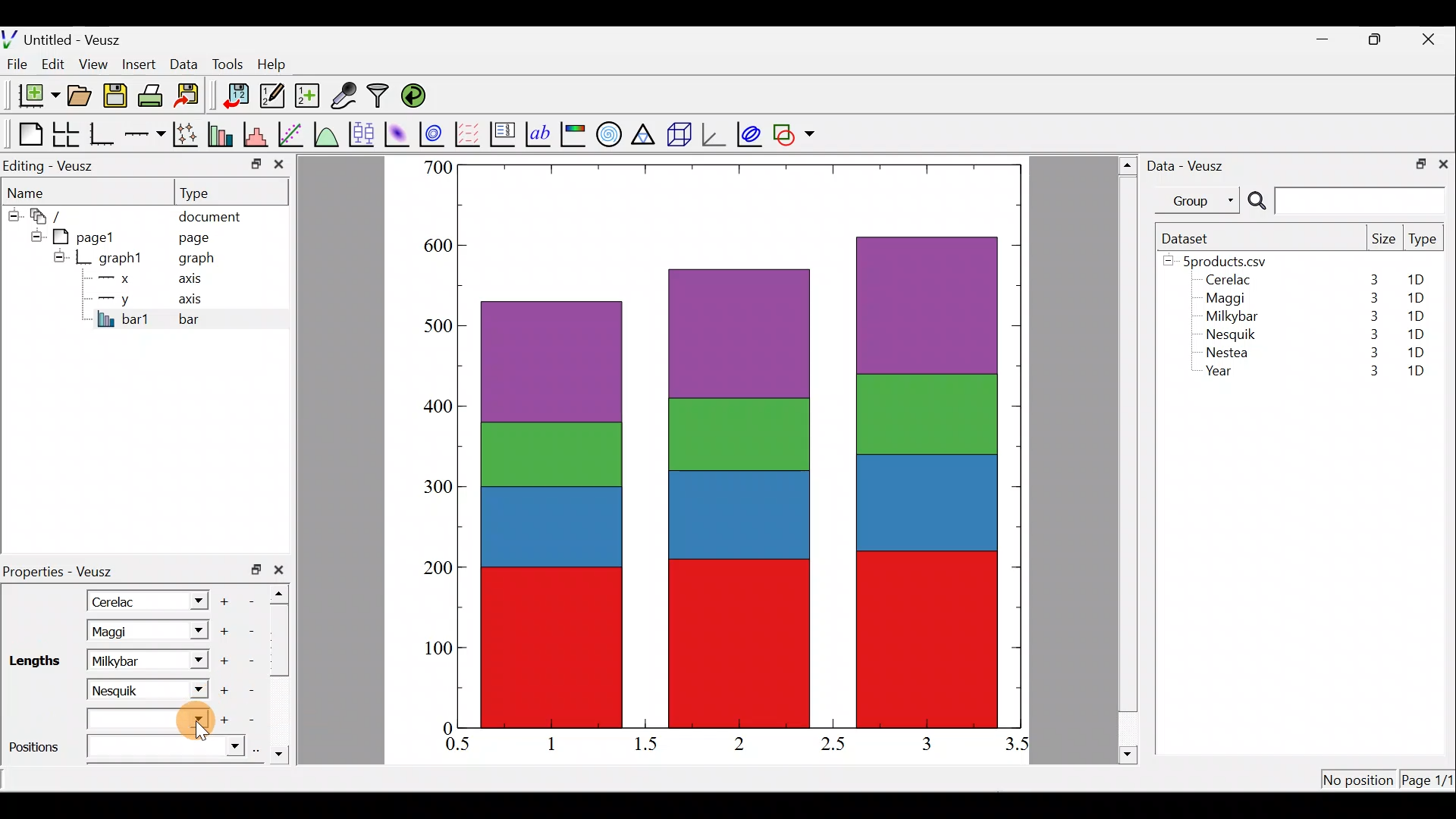  What do you see at coordinates (209, 214) in the screenshot?
I see `document` at bounding box center [209, 214].